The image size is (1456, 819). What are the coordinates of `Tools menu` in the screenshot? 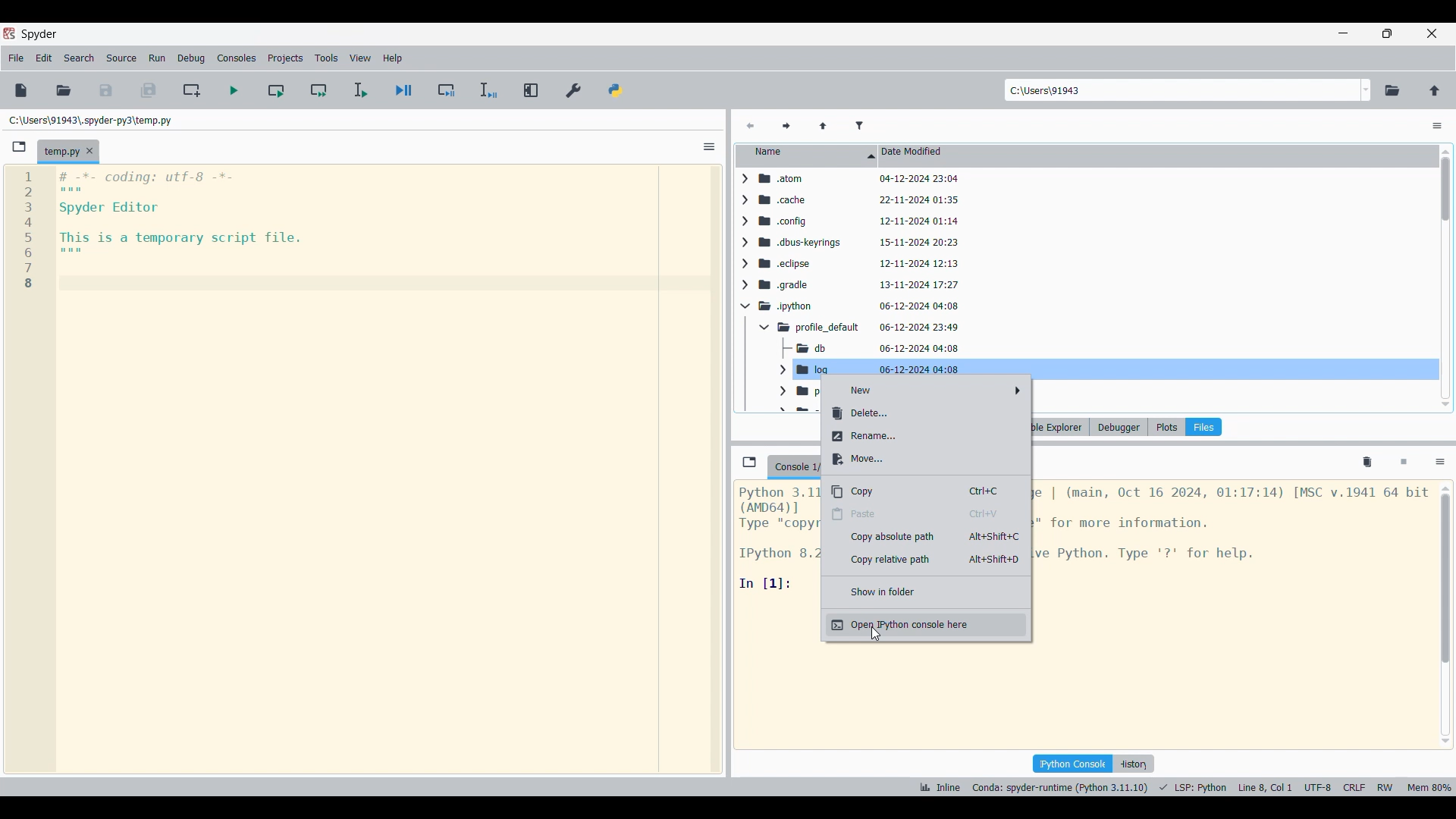 It's located at (327, 58).